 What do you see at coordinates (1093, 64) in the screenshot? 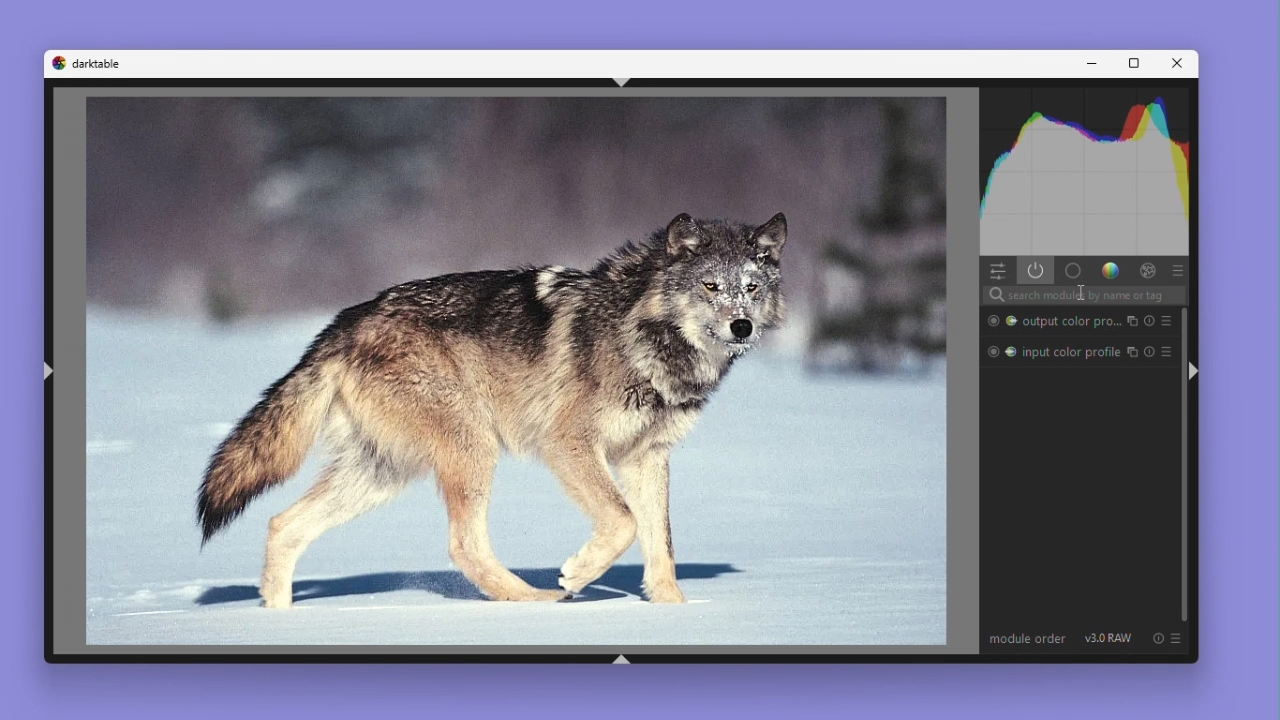
I see `Minimize` at bounding box center [1093, 64].